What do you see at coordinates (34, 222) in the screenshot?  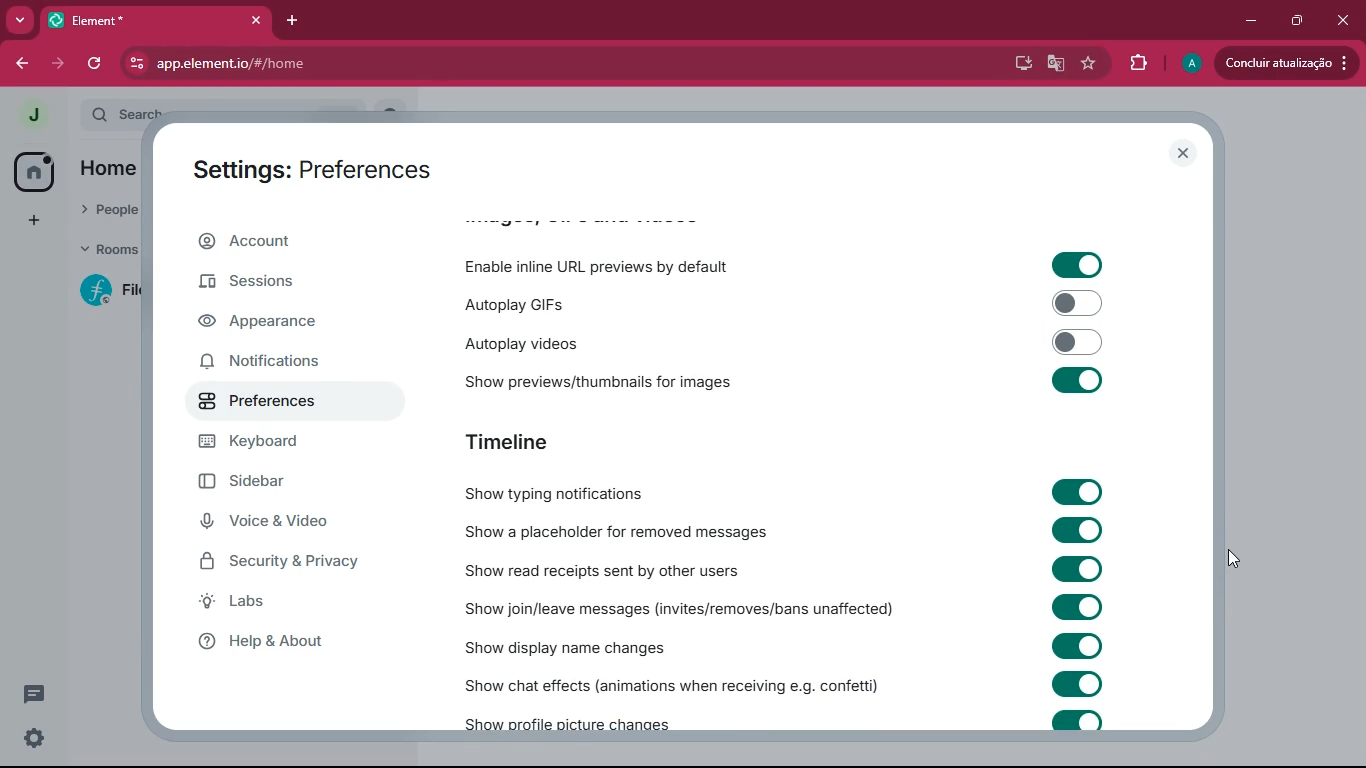 I see `add` at bounding box center [34, 222].